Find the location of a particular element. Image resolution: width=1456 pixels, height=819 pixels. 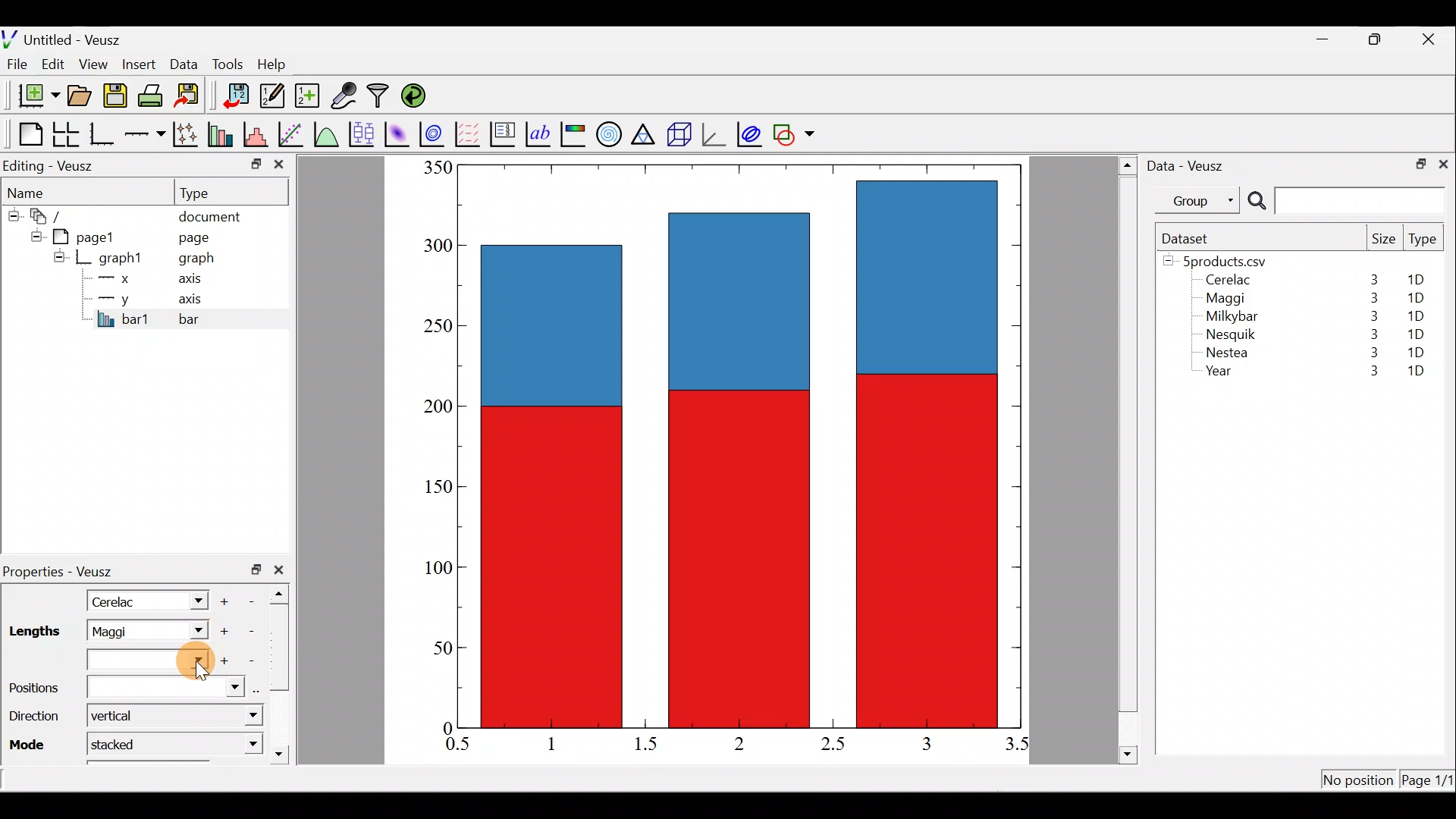

Add another item is located at coordinates (227, 599).